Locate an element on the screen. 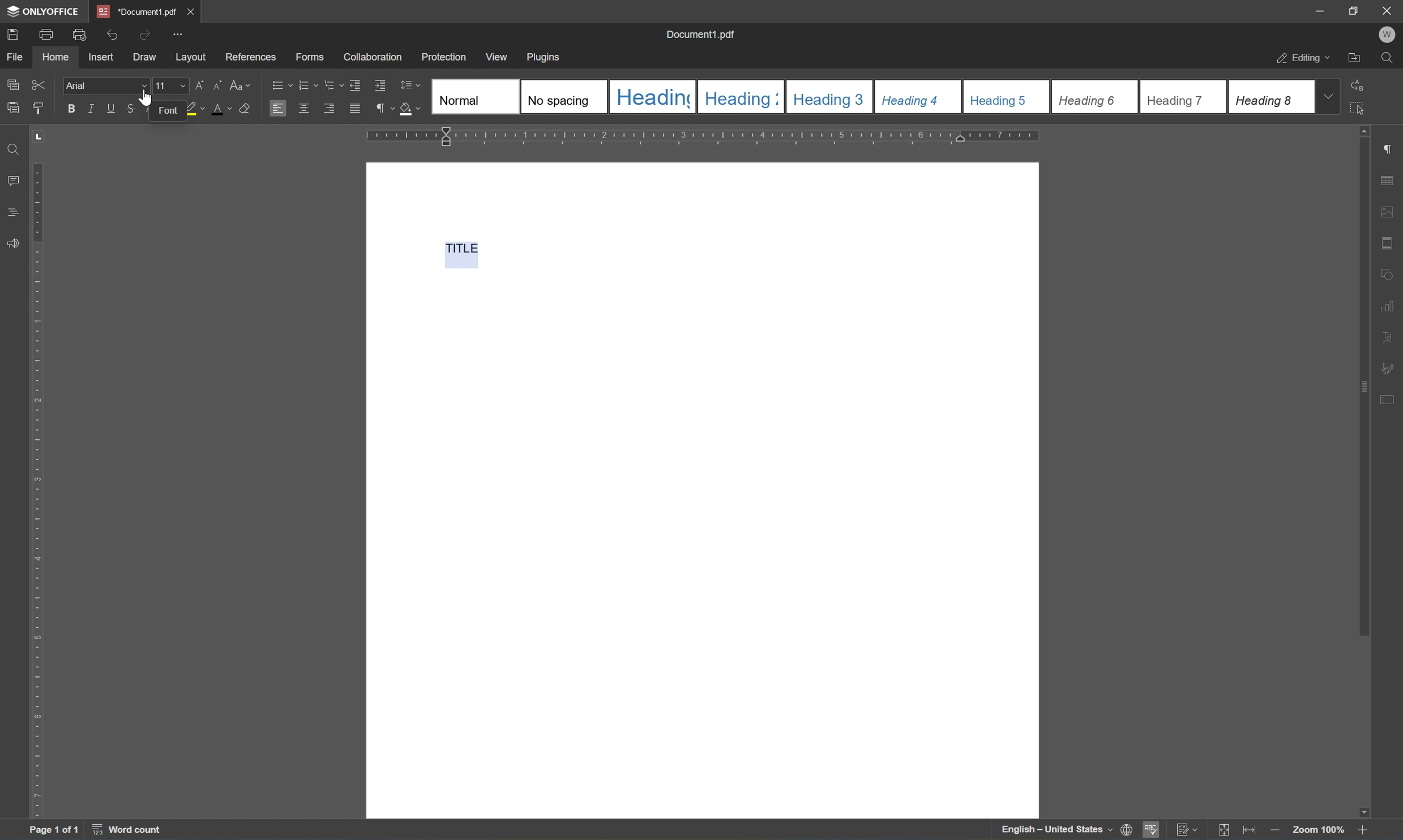 Image resolution: width=1403 pixels, height=840 pixels. ruler is located at coordinates (701, 136).